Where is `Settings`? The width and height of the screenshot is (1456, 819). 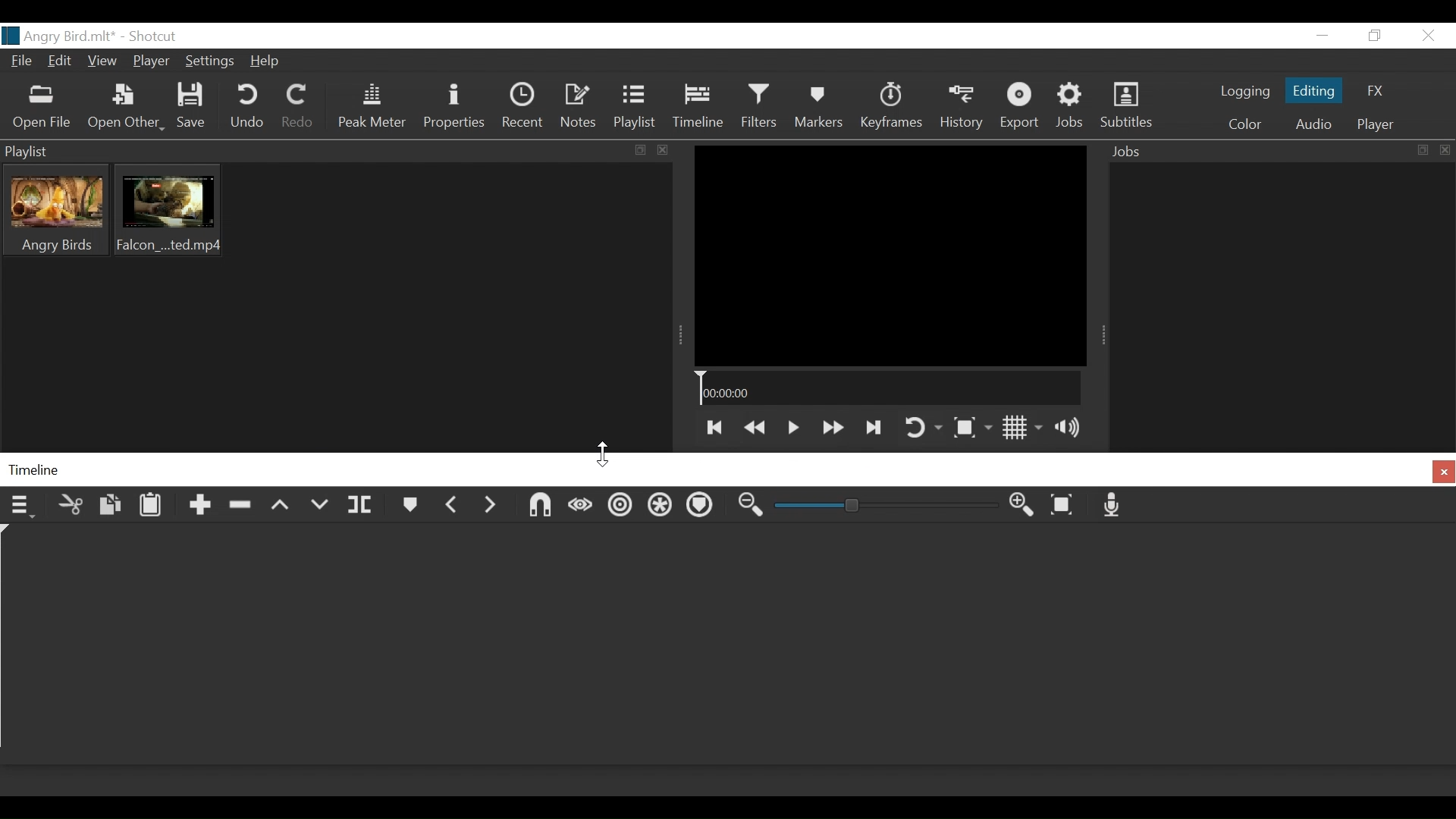
Settings is located at coordinates (213, 61).